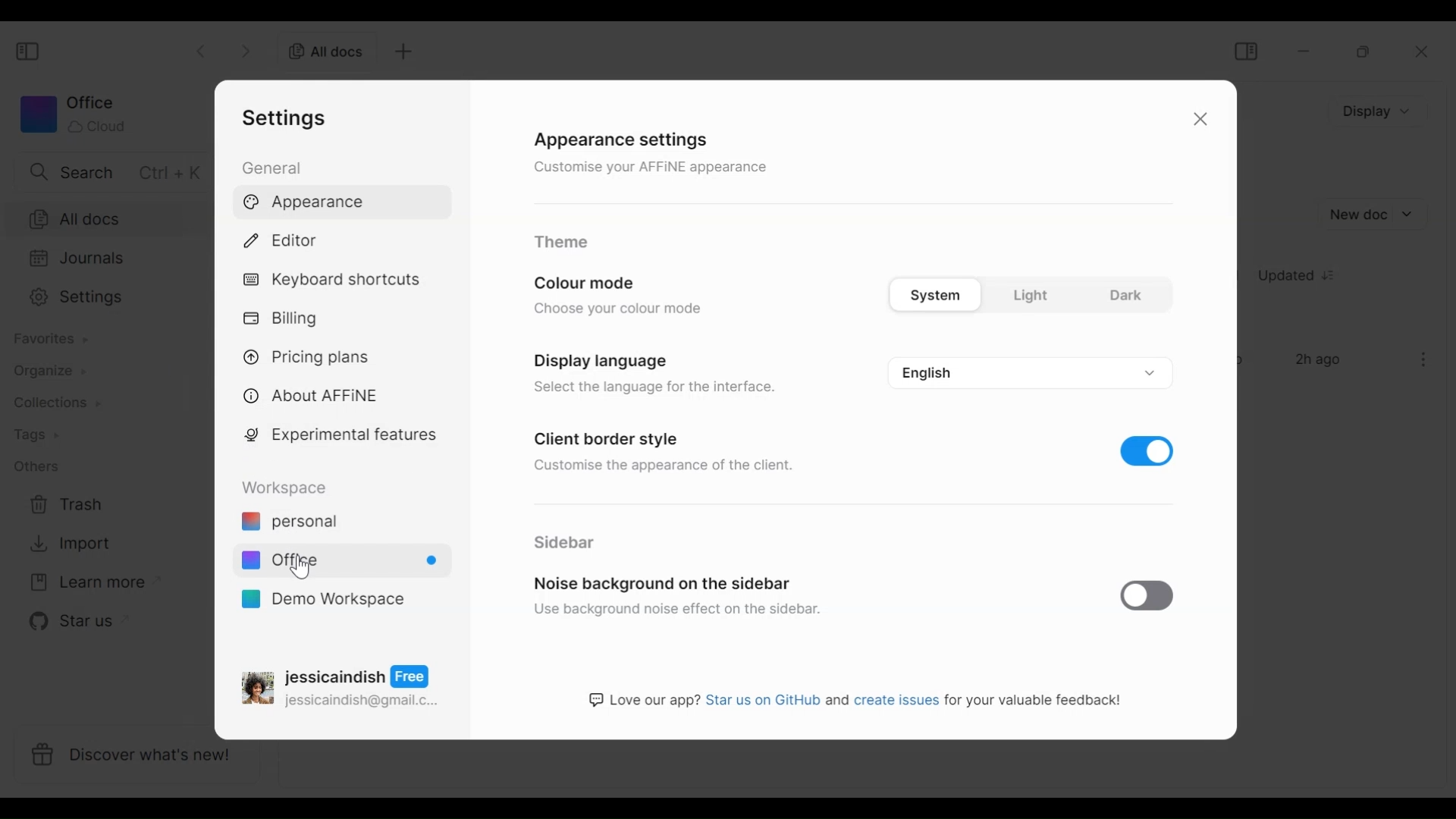  I want to click on All documents, so click(321, 50).